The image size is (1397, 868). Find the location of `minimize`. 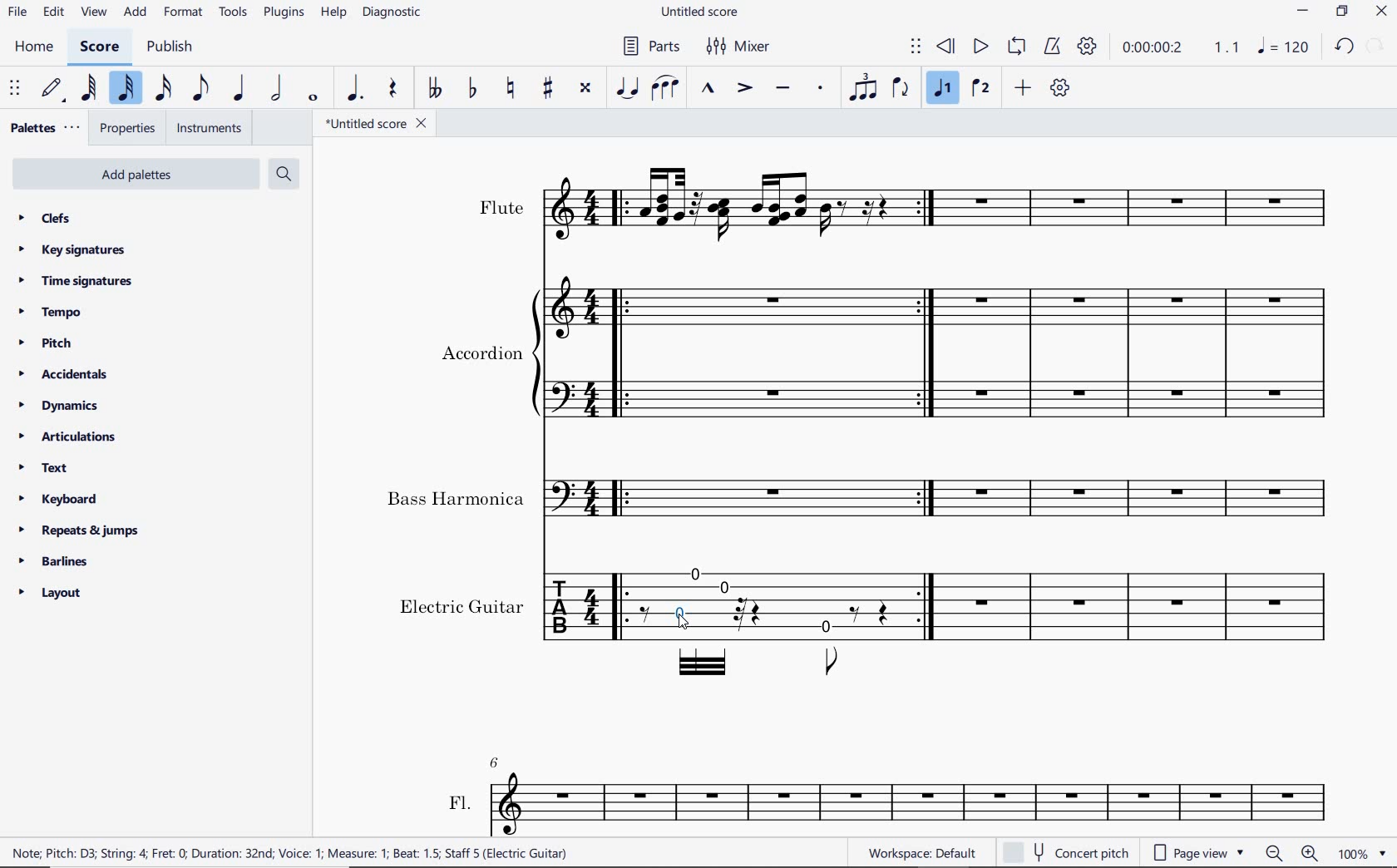

minimize is located at coordinates (1303, 12).